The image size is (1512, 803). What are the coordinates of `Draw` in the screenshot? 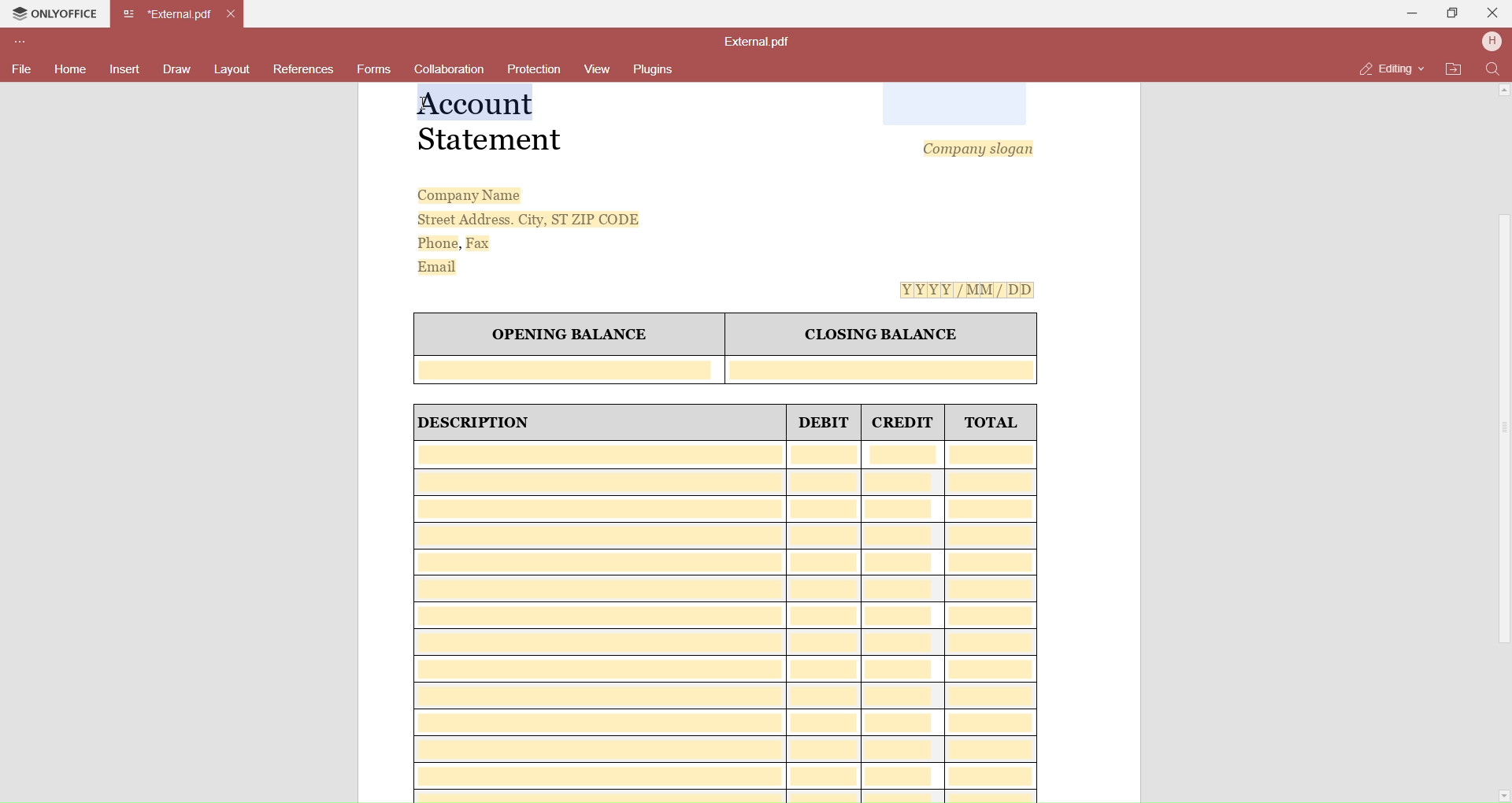 It's located at (178, 68).